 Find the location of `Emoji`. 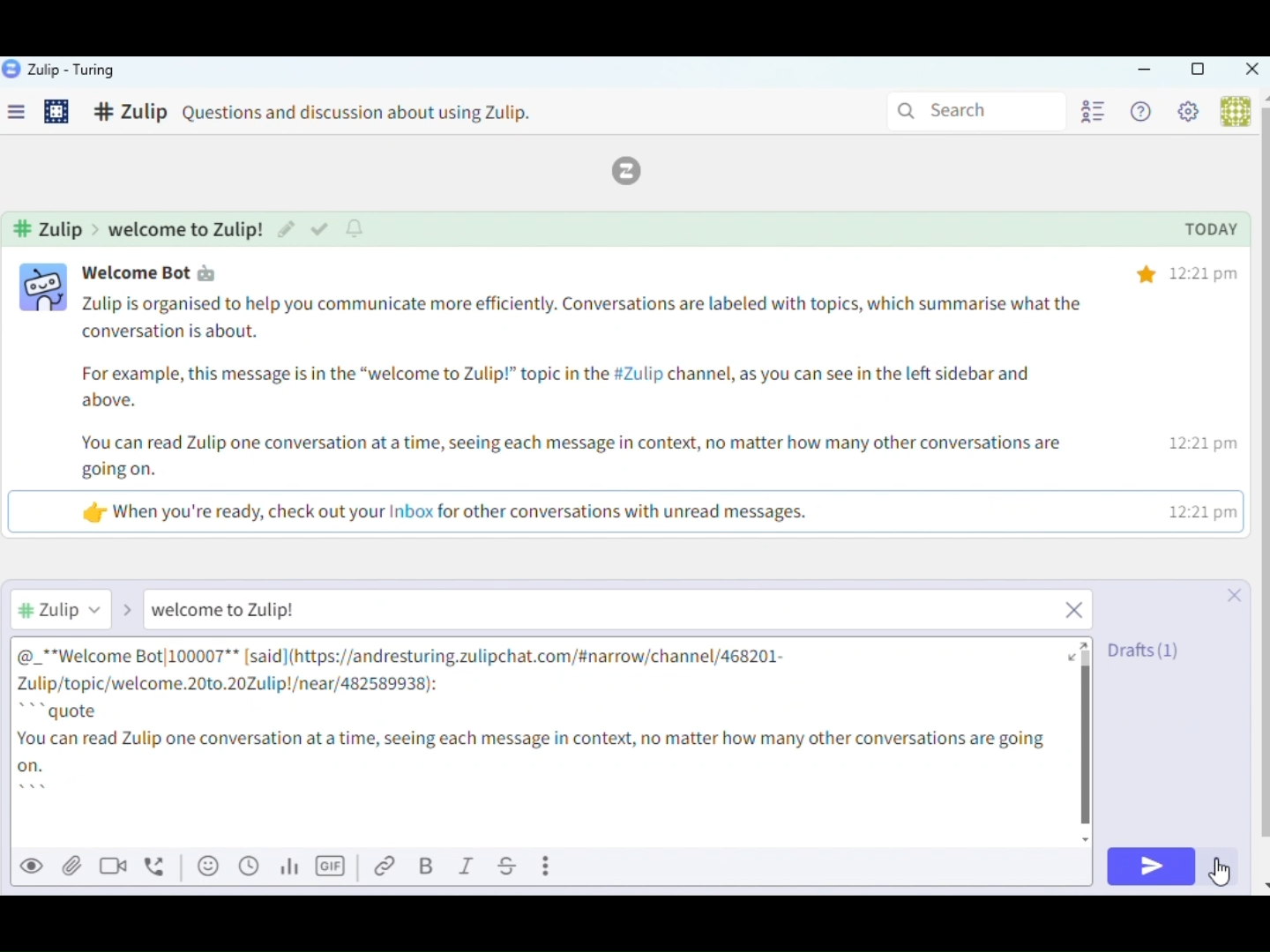

Emoji is located at coordinates (207, 866).